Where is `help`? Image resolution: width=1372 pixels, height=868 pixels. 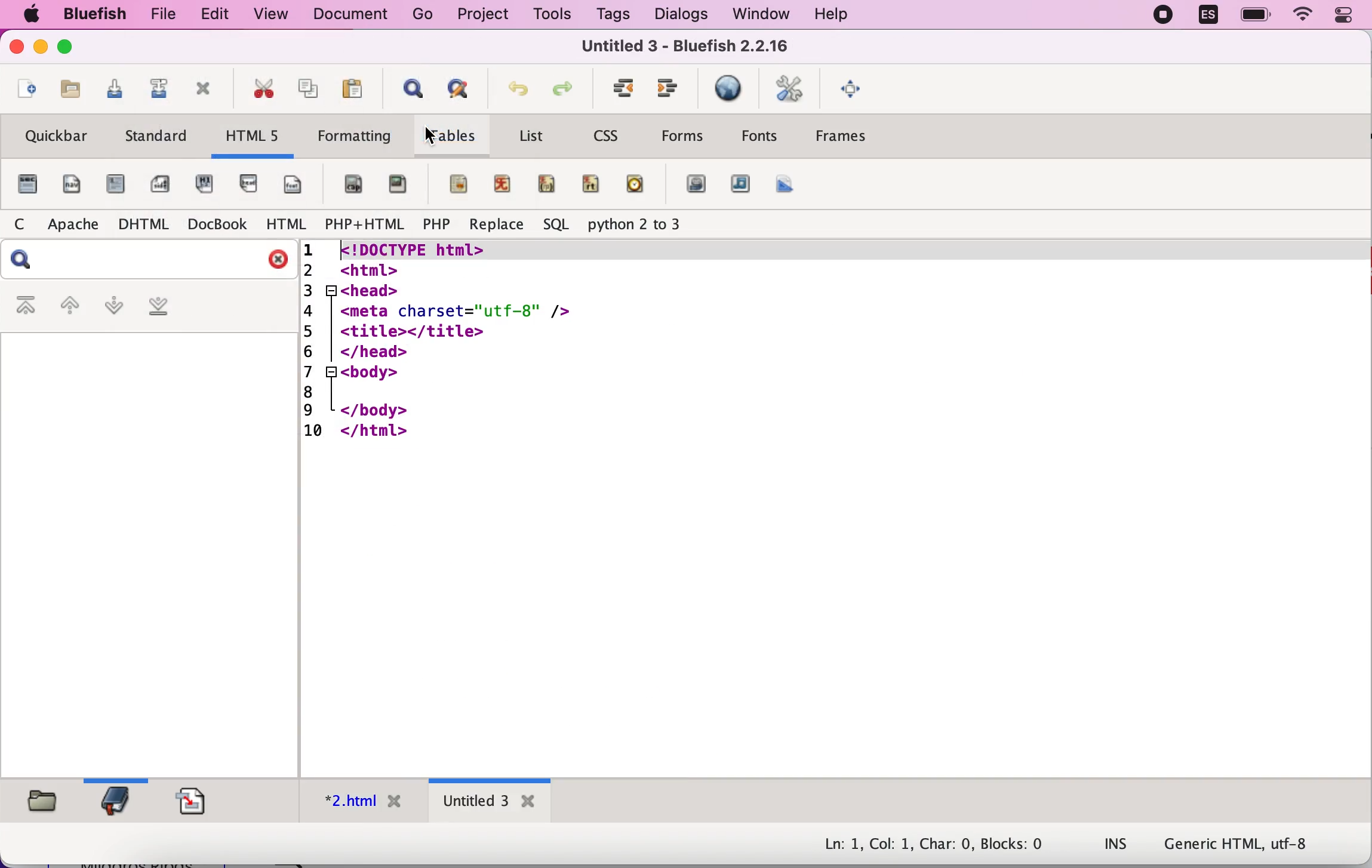 help is located at coordinates (848, 14).